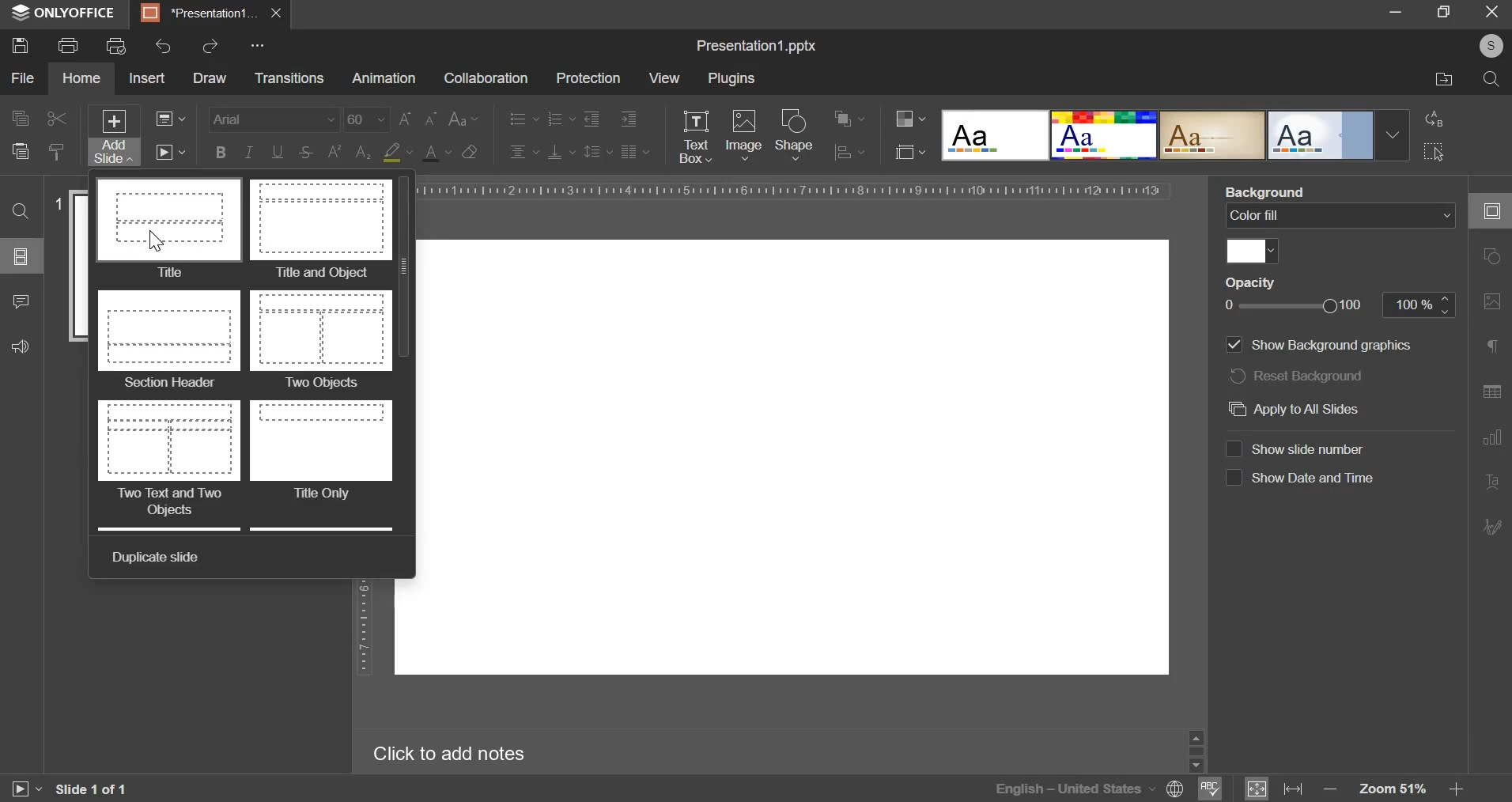  Describe the element at coordinates (161, 239) in the screenshot. I see `mouse pointer` at that location.